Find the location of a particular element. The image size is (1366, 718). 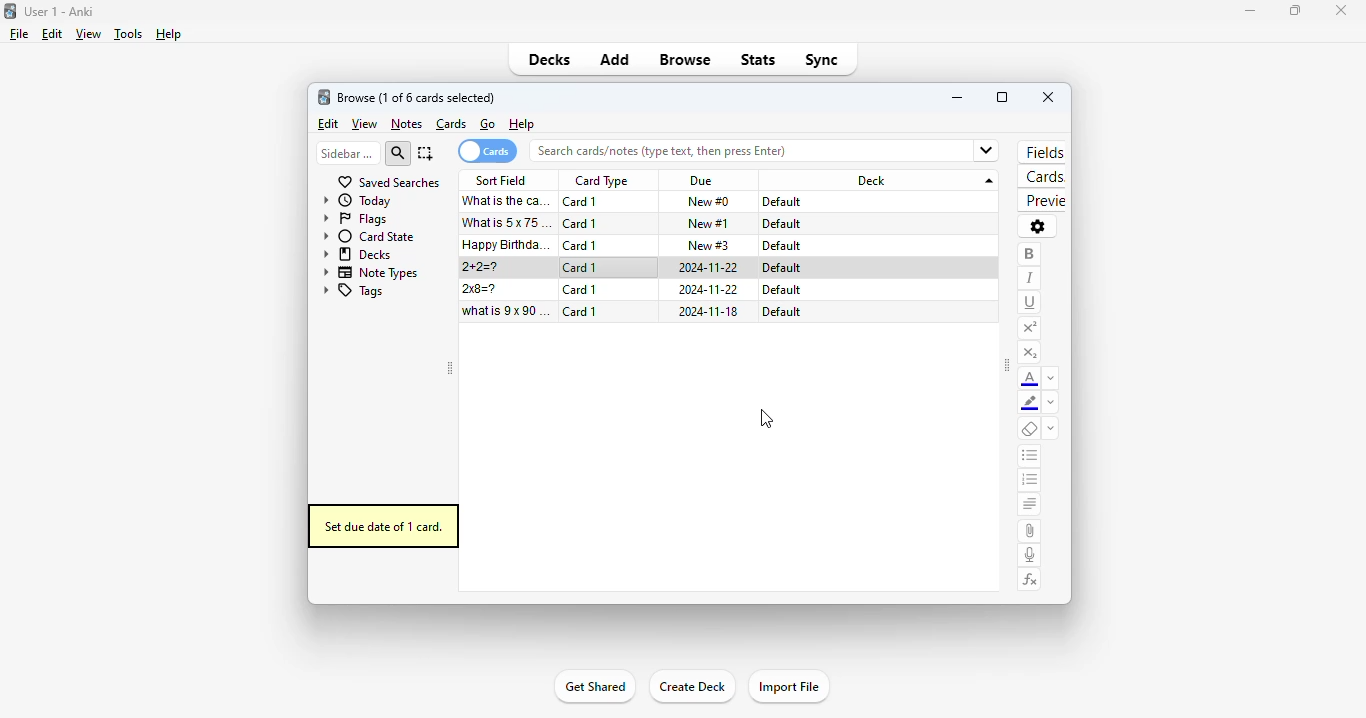

fields is located at coordinates (1045, 152).